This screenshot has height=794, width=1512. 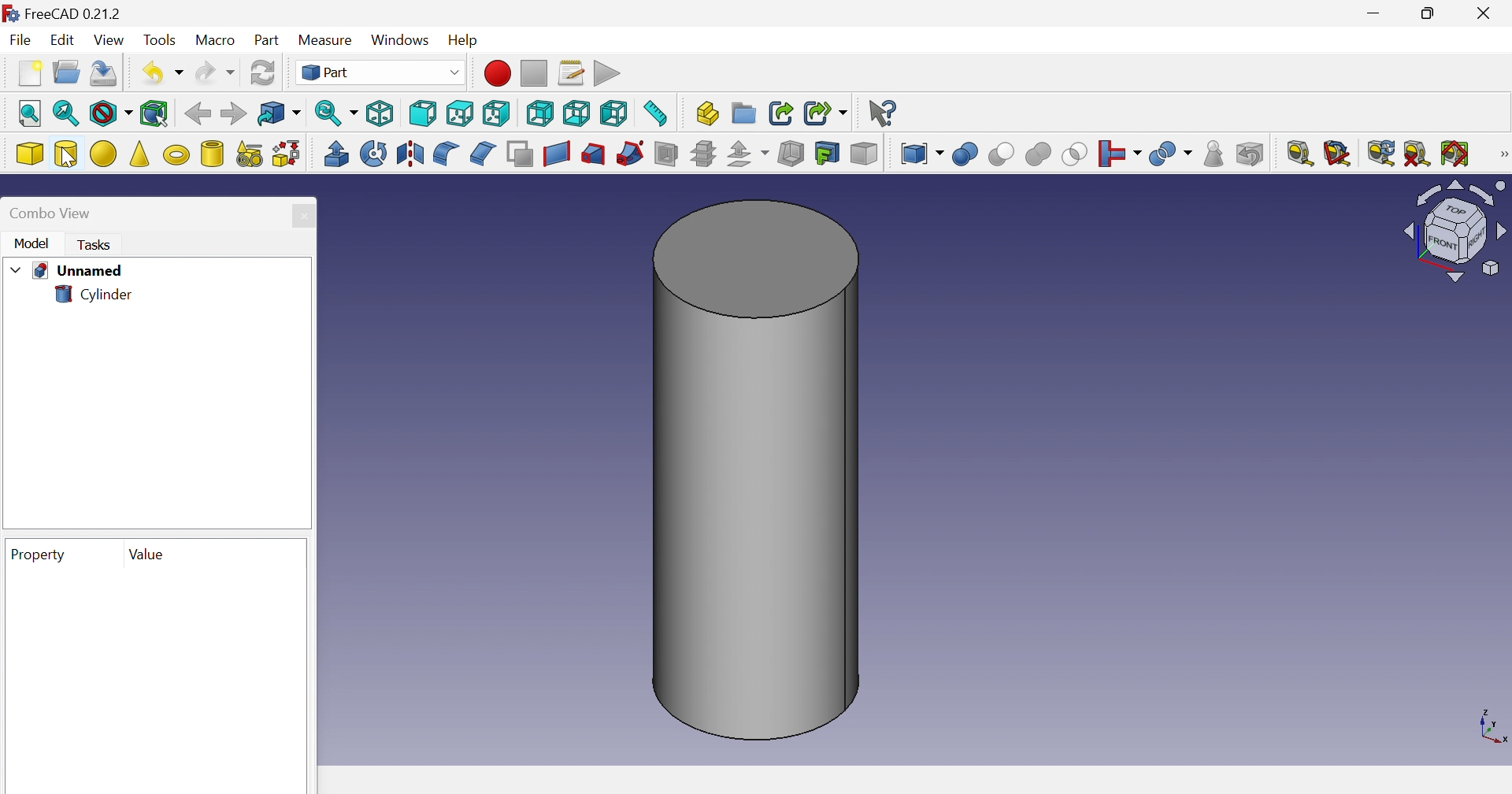 I want to click on Part, so click(x=268, y=42).